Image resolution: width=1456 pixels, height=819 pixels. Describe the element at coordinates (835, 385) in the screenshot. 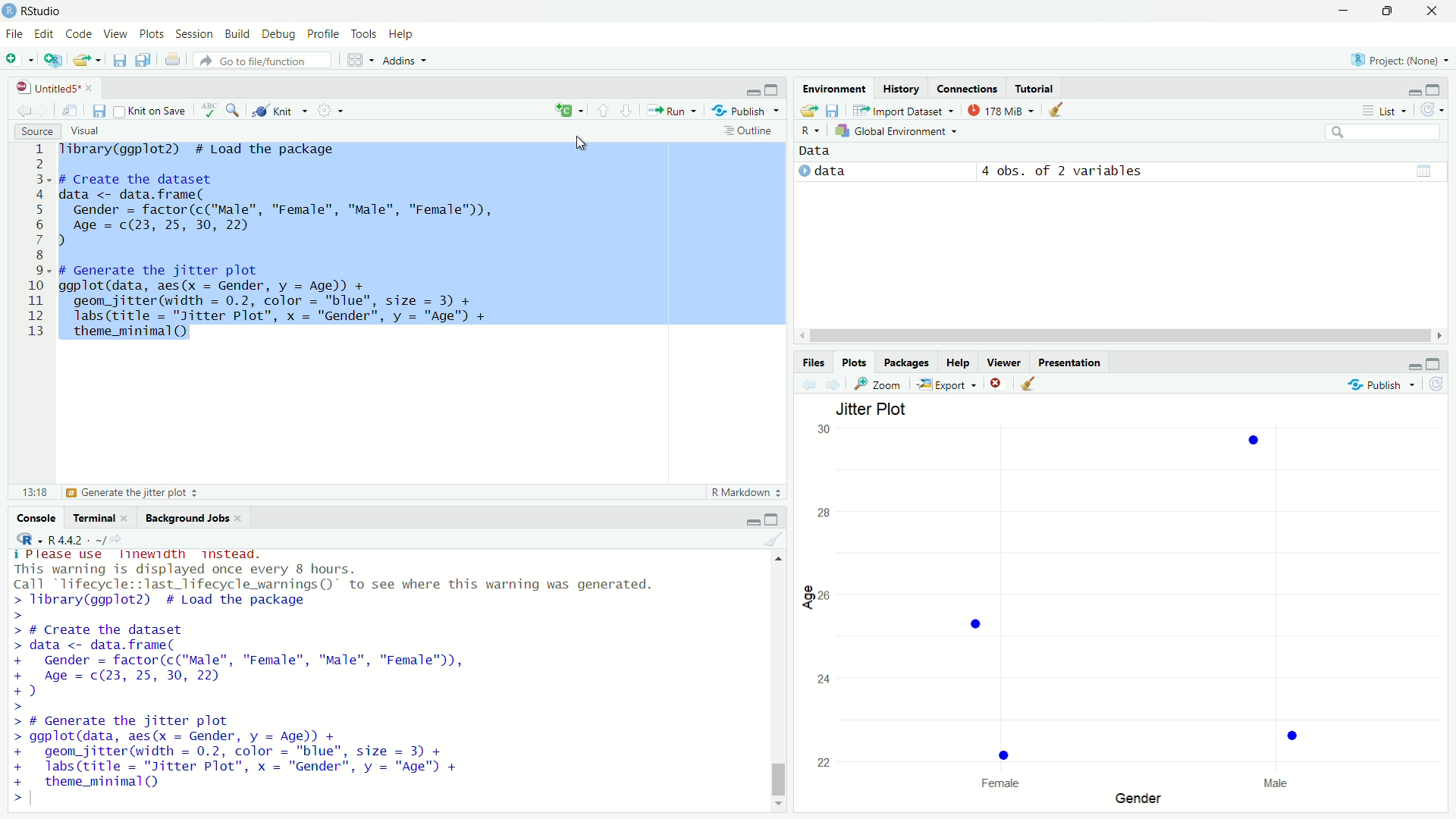

I see `next plot` at that location.